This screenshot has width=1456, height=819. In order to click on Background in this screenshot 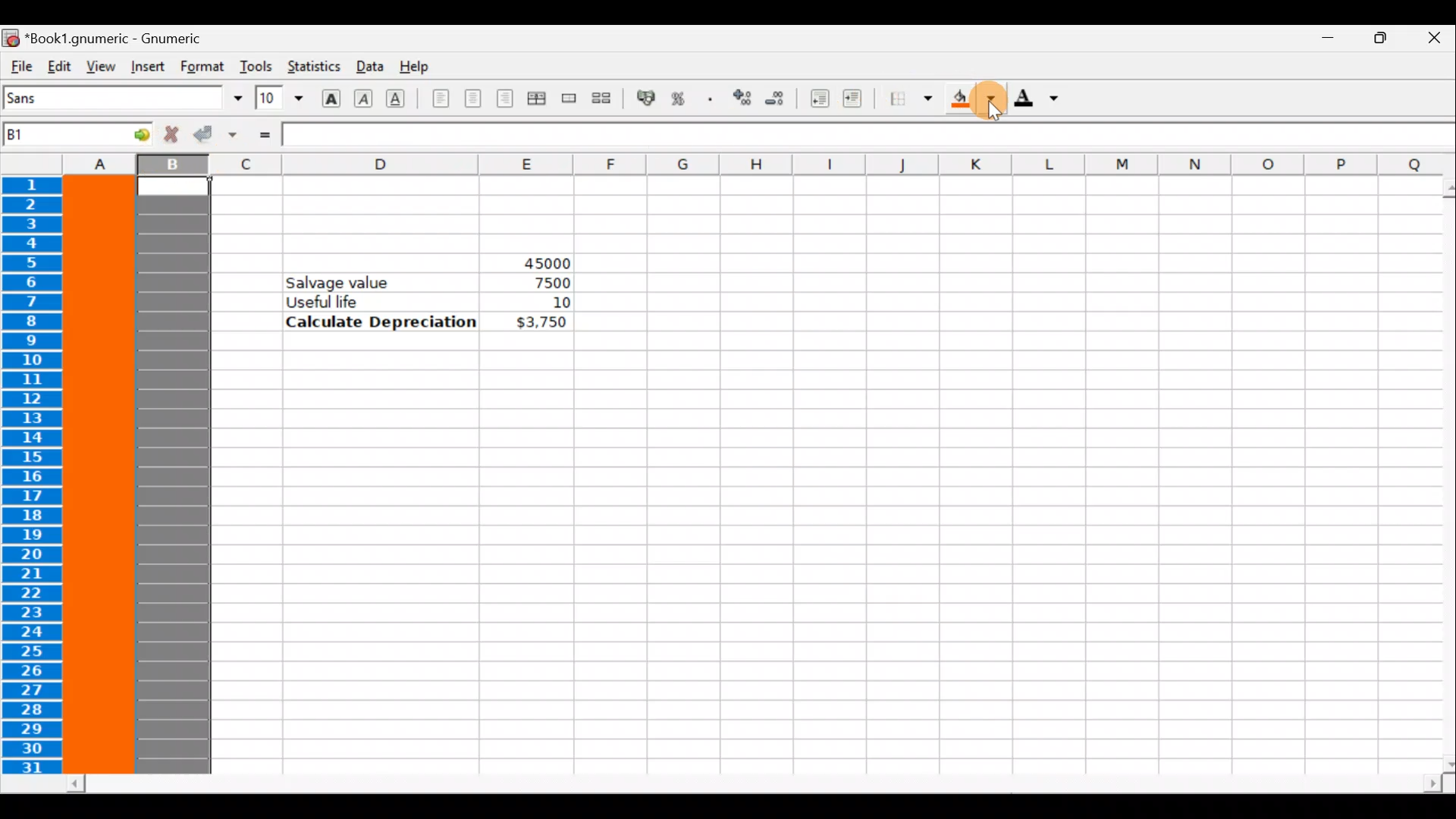, I will do `click(972, 100)`.